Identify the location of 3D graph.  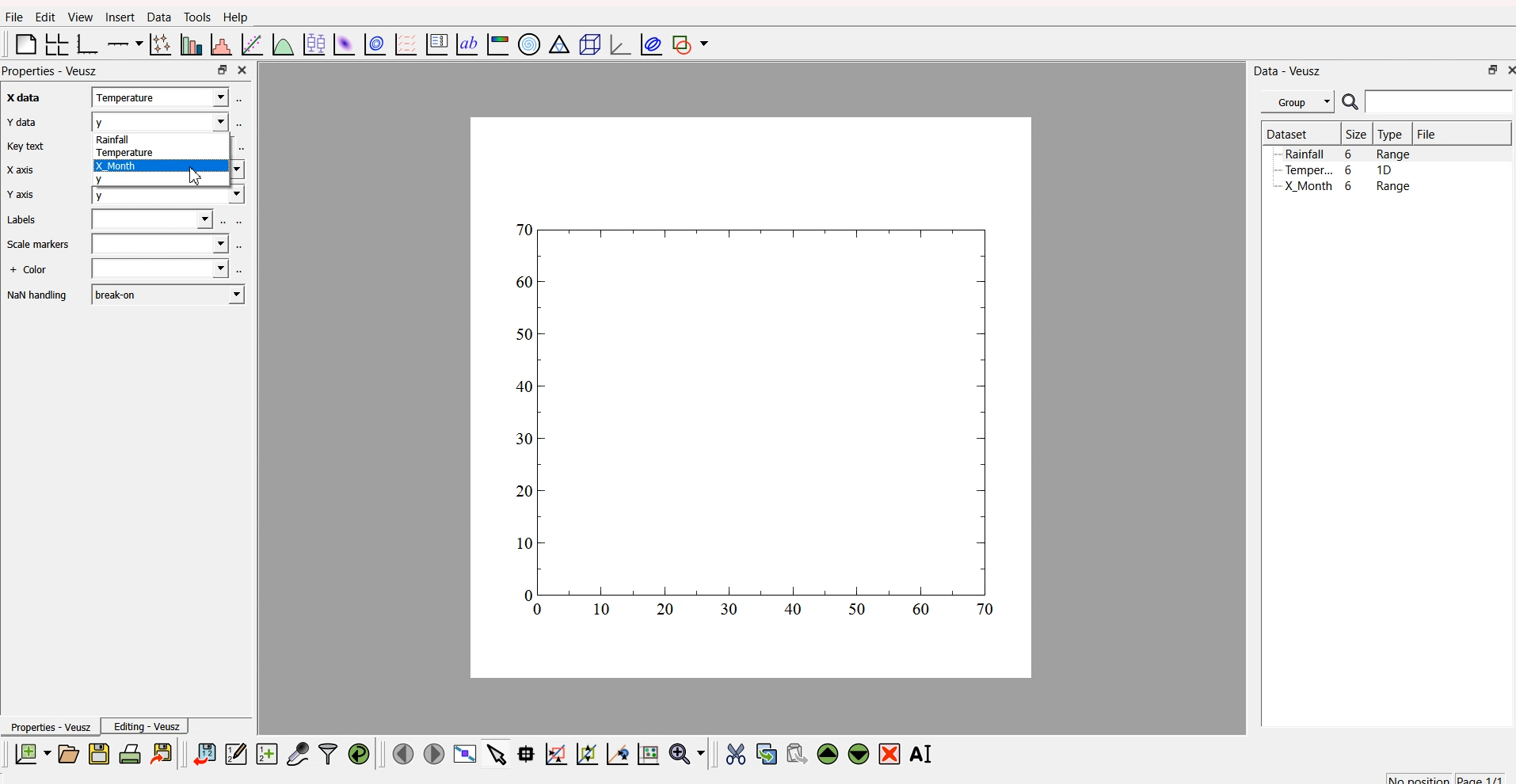
(615, 44).